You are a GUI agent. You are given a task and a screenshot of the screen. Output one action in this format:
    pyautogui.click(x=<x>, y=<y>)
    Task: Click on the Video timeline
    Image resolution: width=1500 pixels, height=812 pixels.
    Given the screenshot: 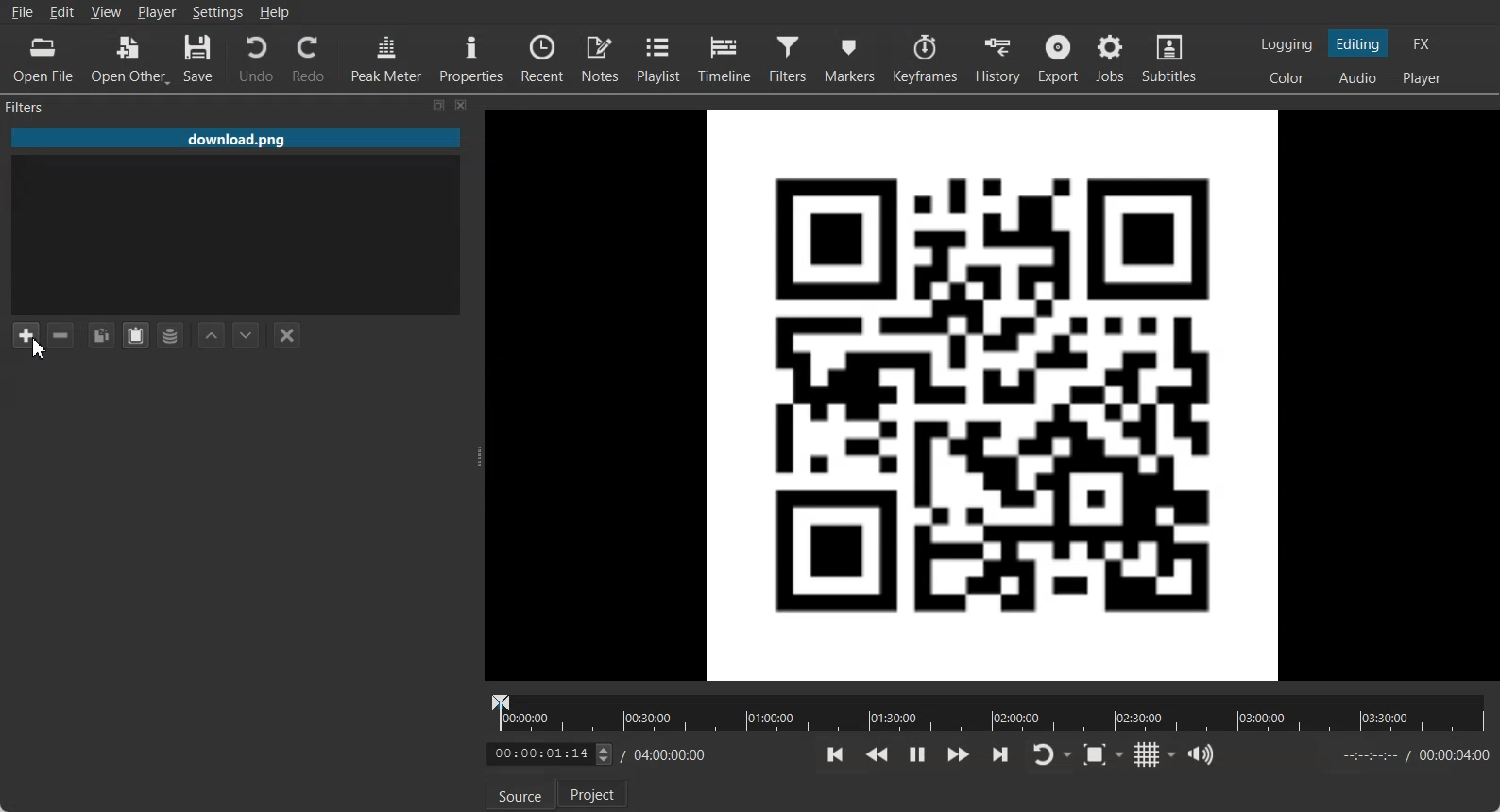 What is the action you would take?
    pyautogui.click(x=988, y=711)
    